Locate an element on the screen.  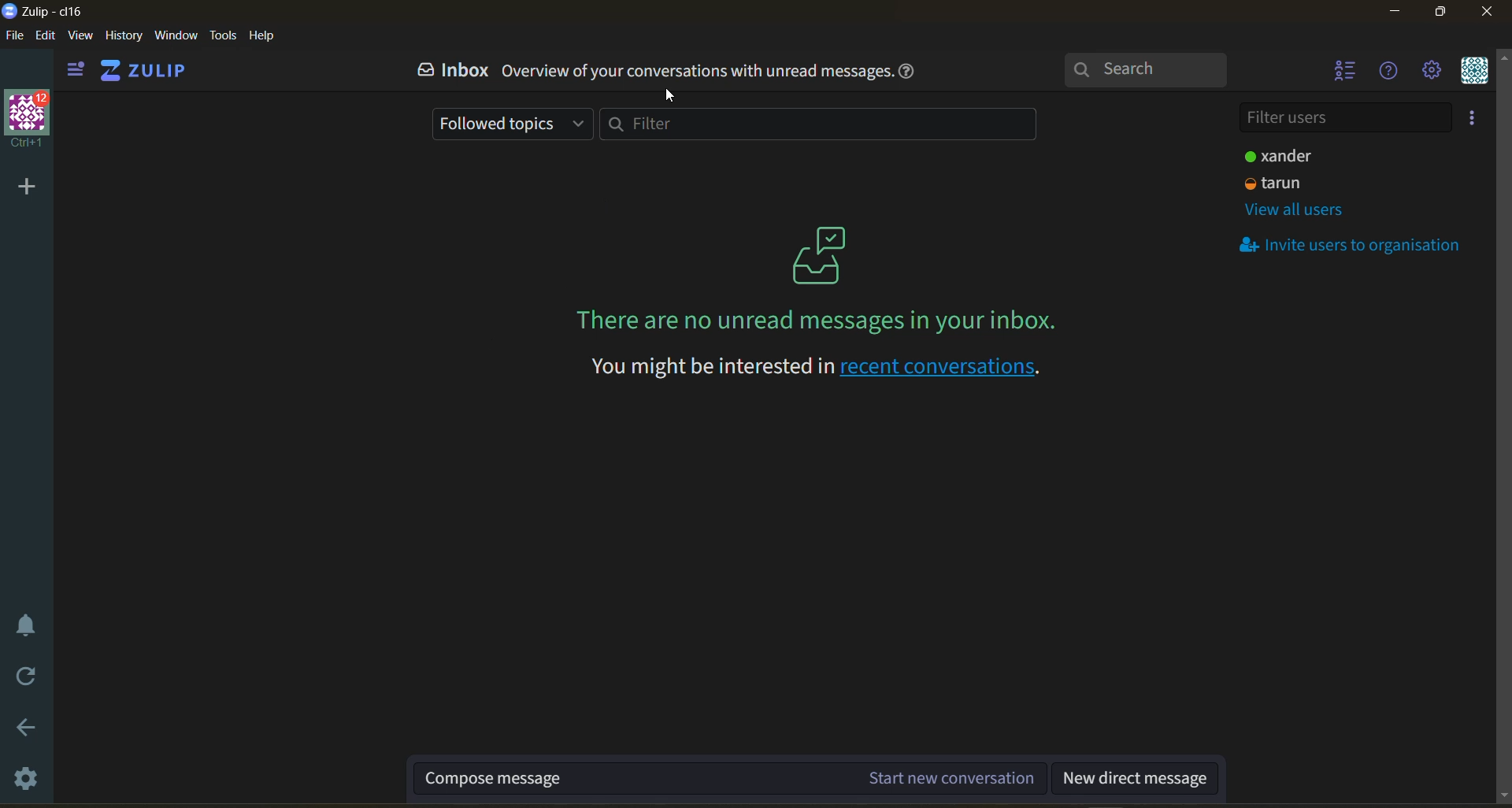
invite users to organisation is located at coordinates (1477, 112).